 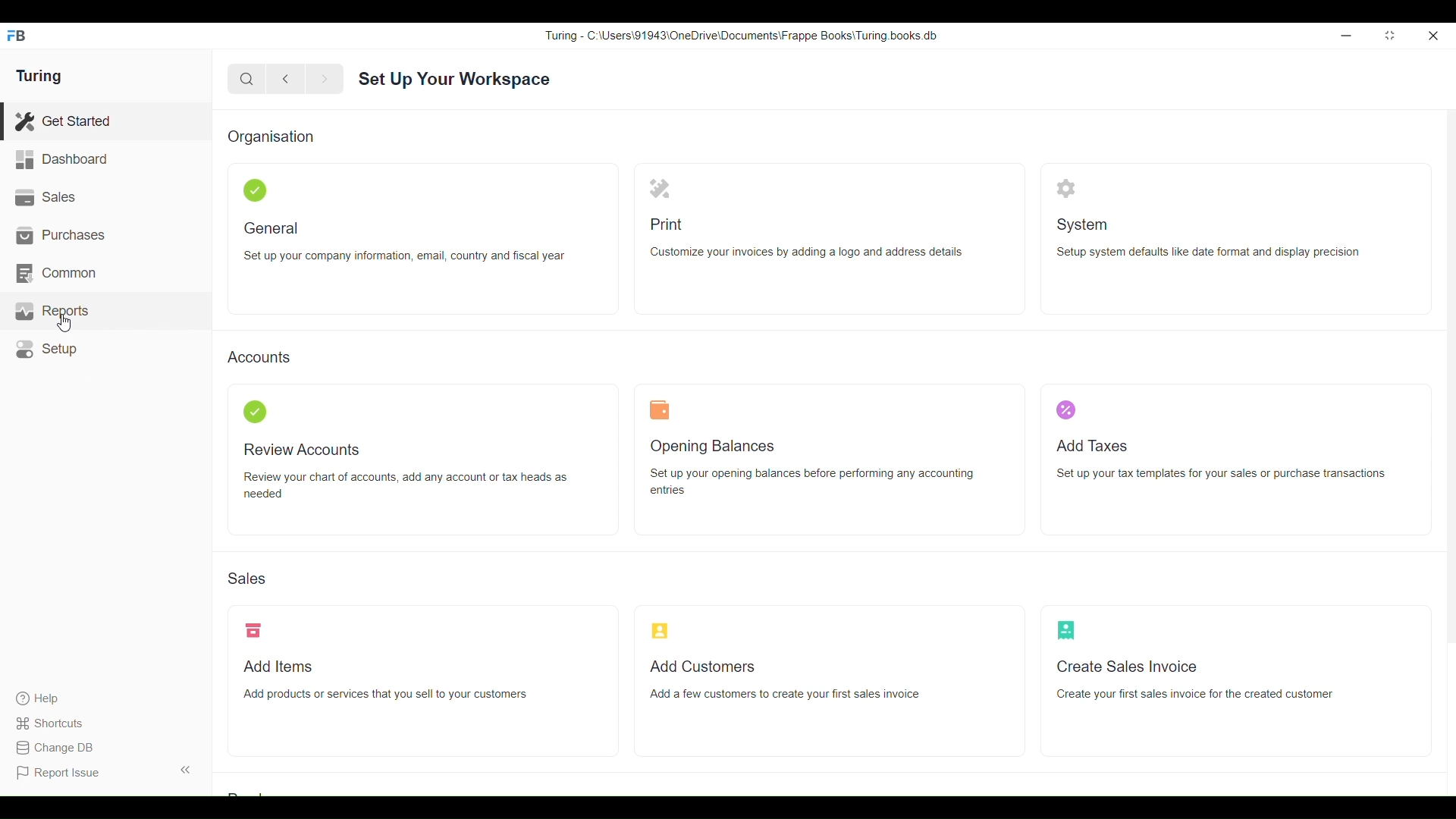 What do you see at coordinates (247, 578) in the screenshot?
I see `Sales` at bounding box center [247, 578].